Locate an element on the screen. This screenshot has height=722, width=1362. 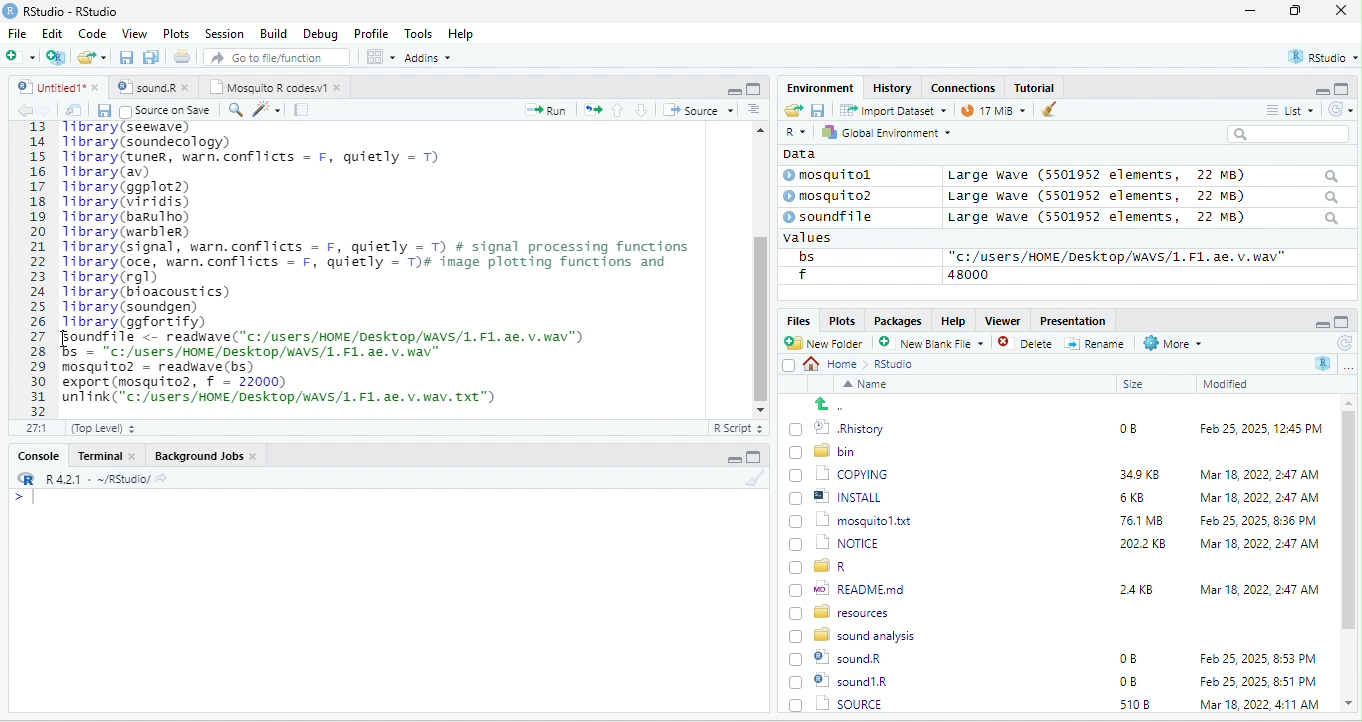
9 mb is located at coordinates (993, 112).